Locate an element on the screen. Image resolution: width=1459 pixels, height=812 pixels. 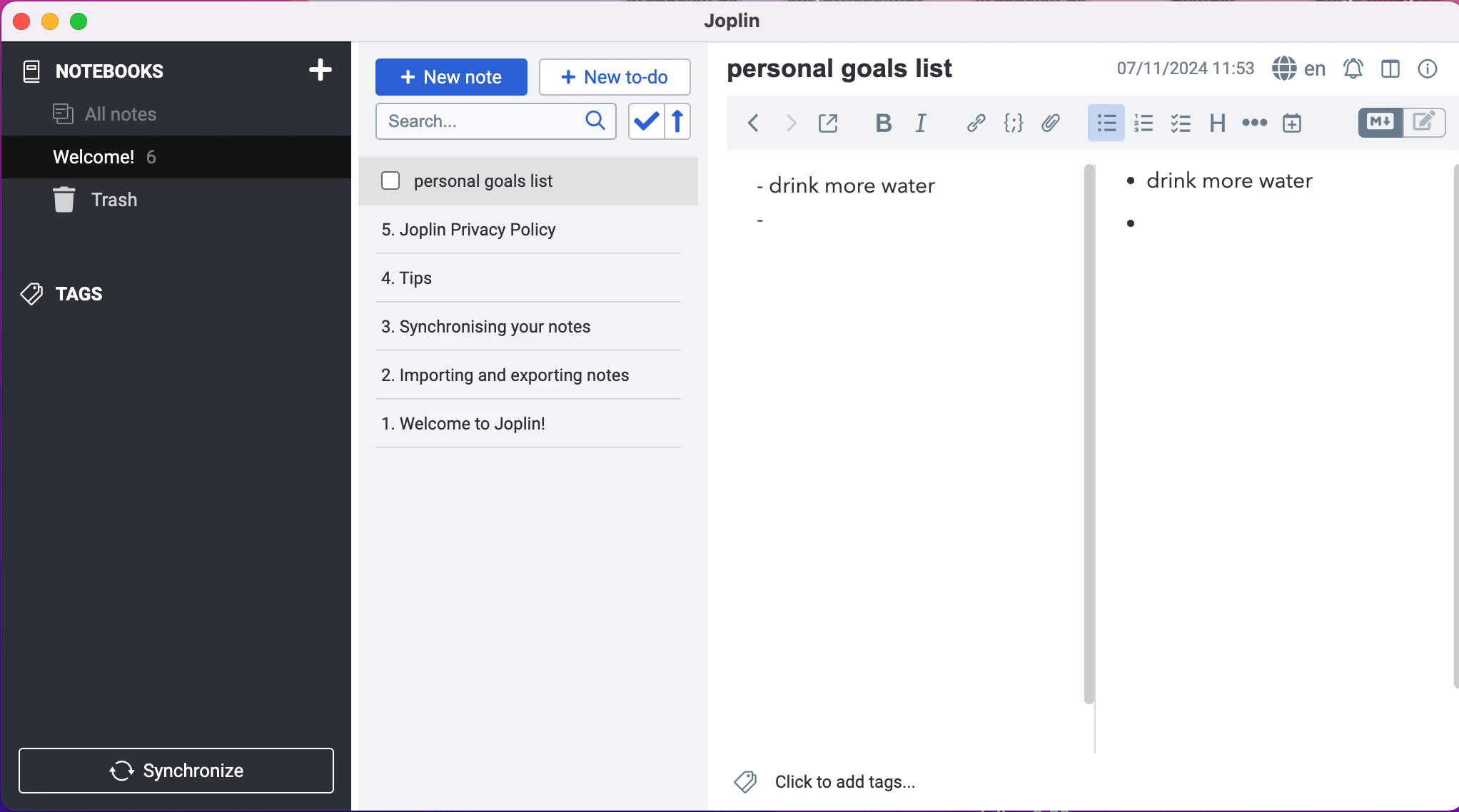
all notes is located at coordinates (114, 116).